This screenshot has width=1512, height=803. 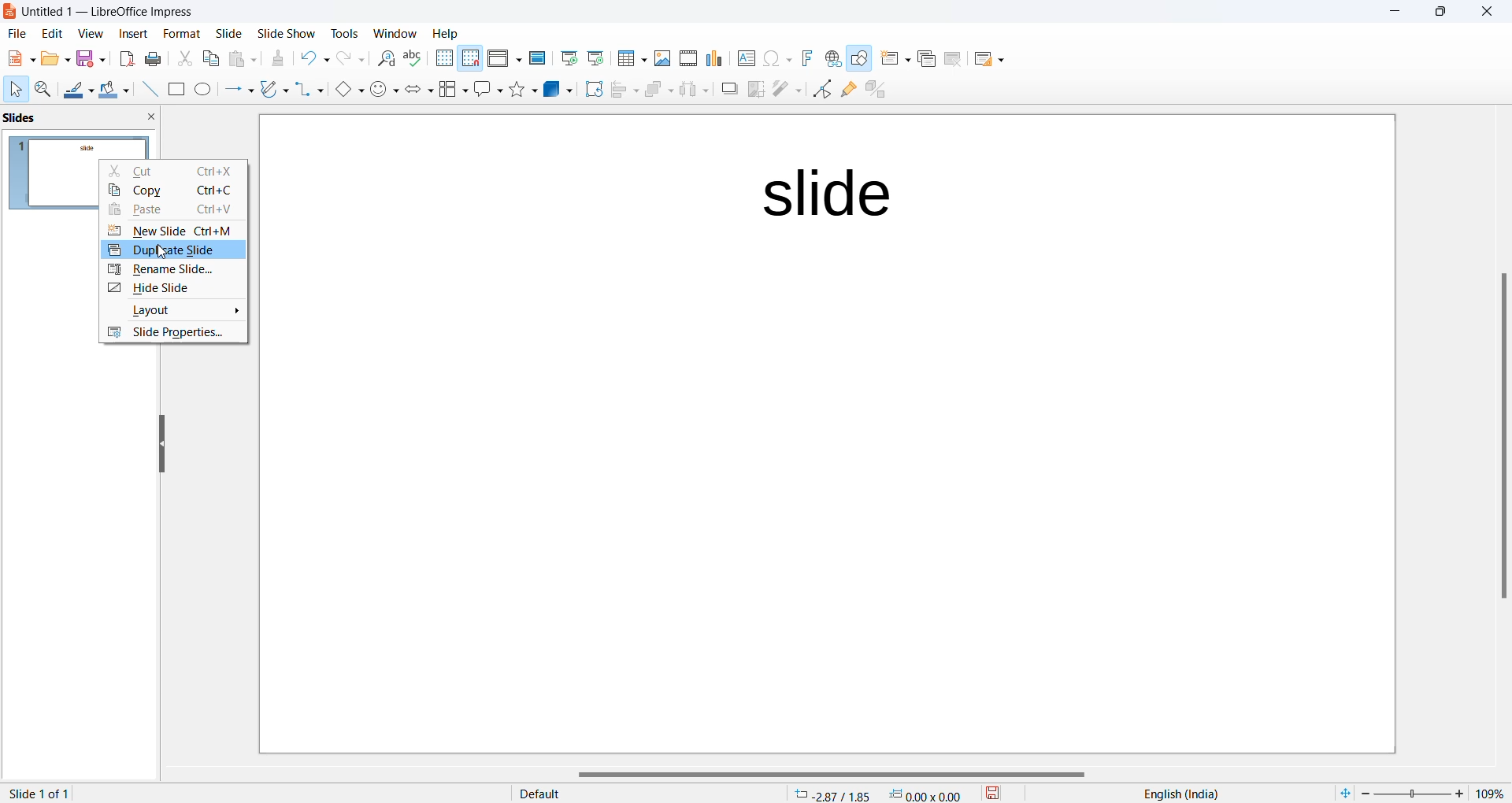 What do you see at coordinates (172, 334) in the screenshot?
I see `slide properties` at bounding box center [172, 334].